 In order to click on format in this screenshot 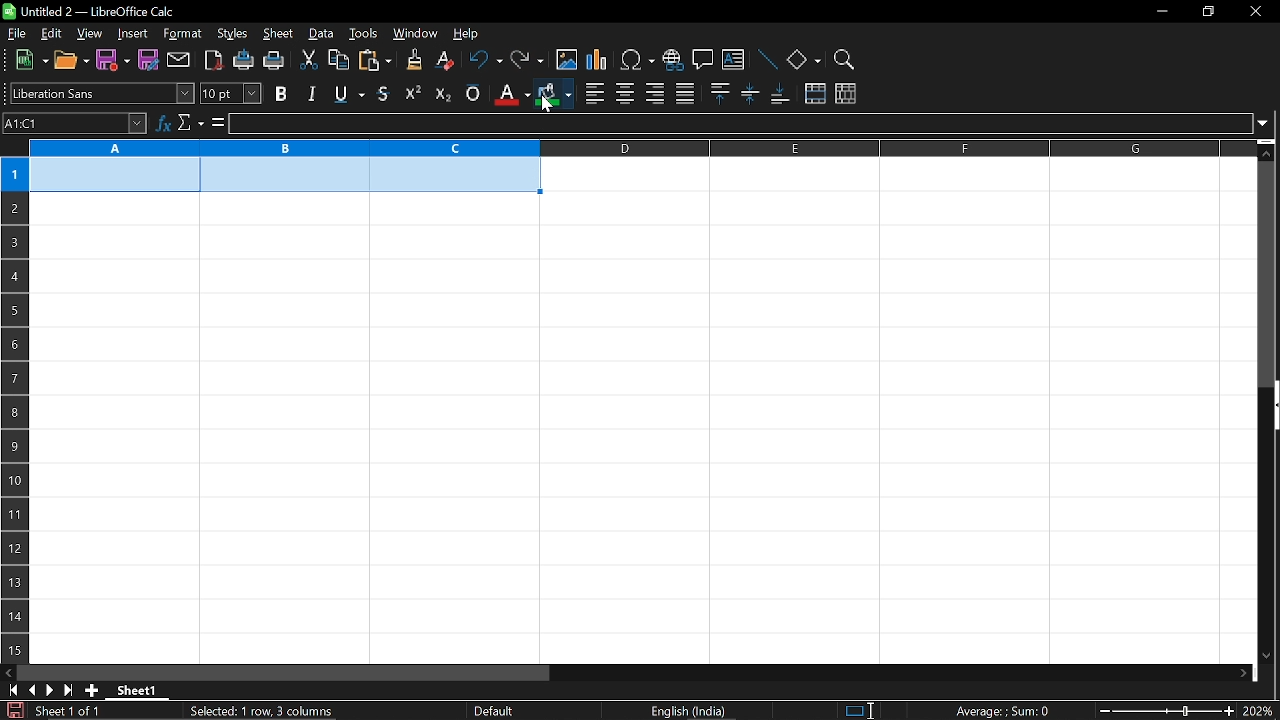, I will do `click(183, 34)`.